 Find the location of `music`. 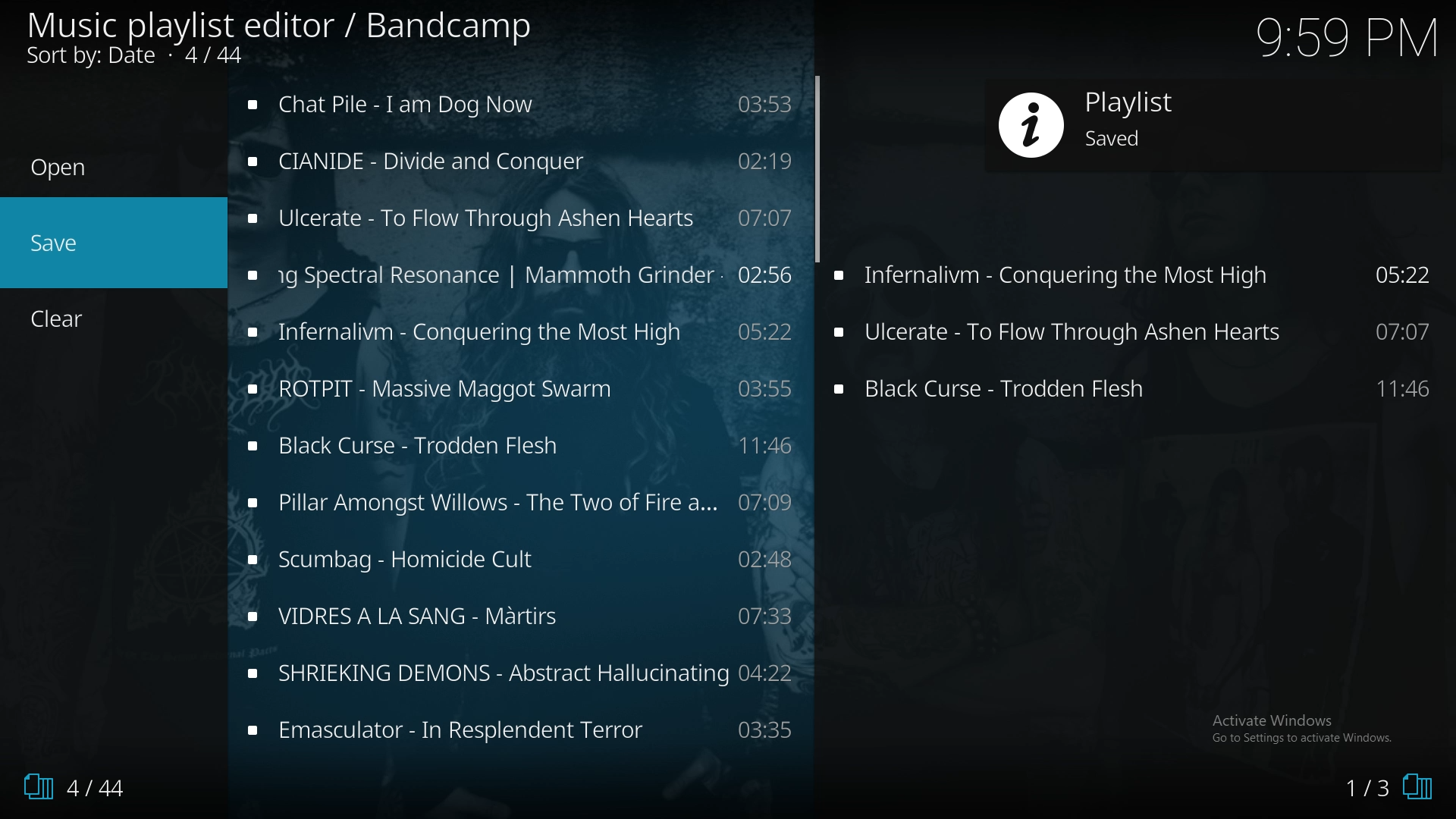

music is located at coordinates (522, 102).